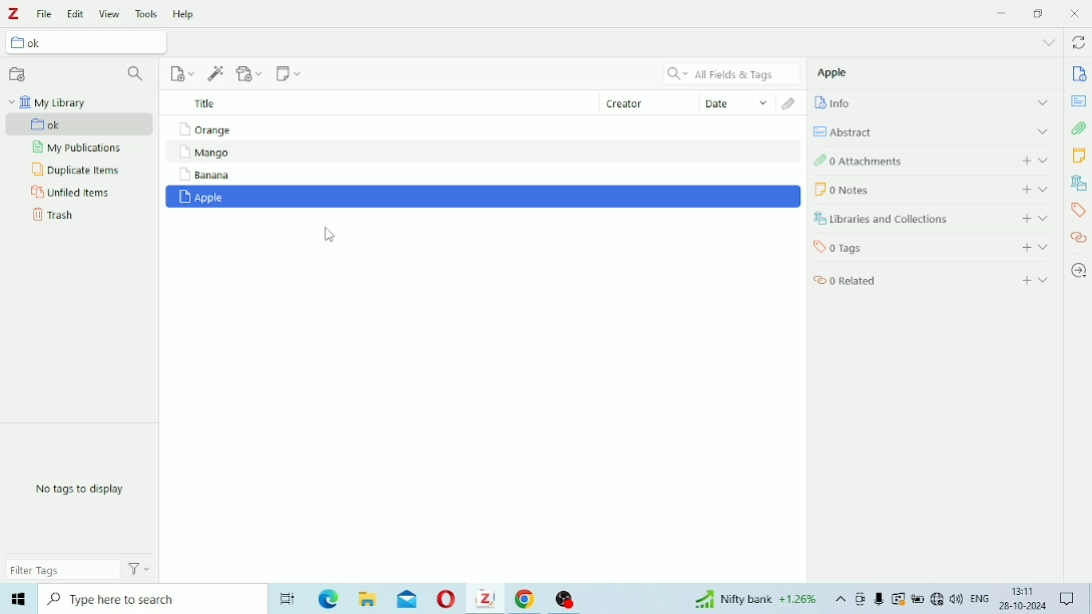 Image resolution: width=1092 pixels, height=614 pixels. I want to click on Related, so click(863, 281).